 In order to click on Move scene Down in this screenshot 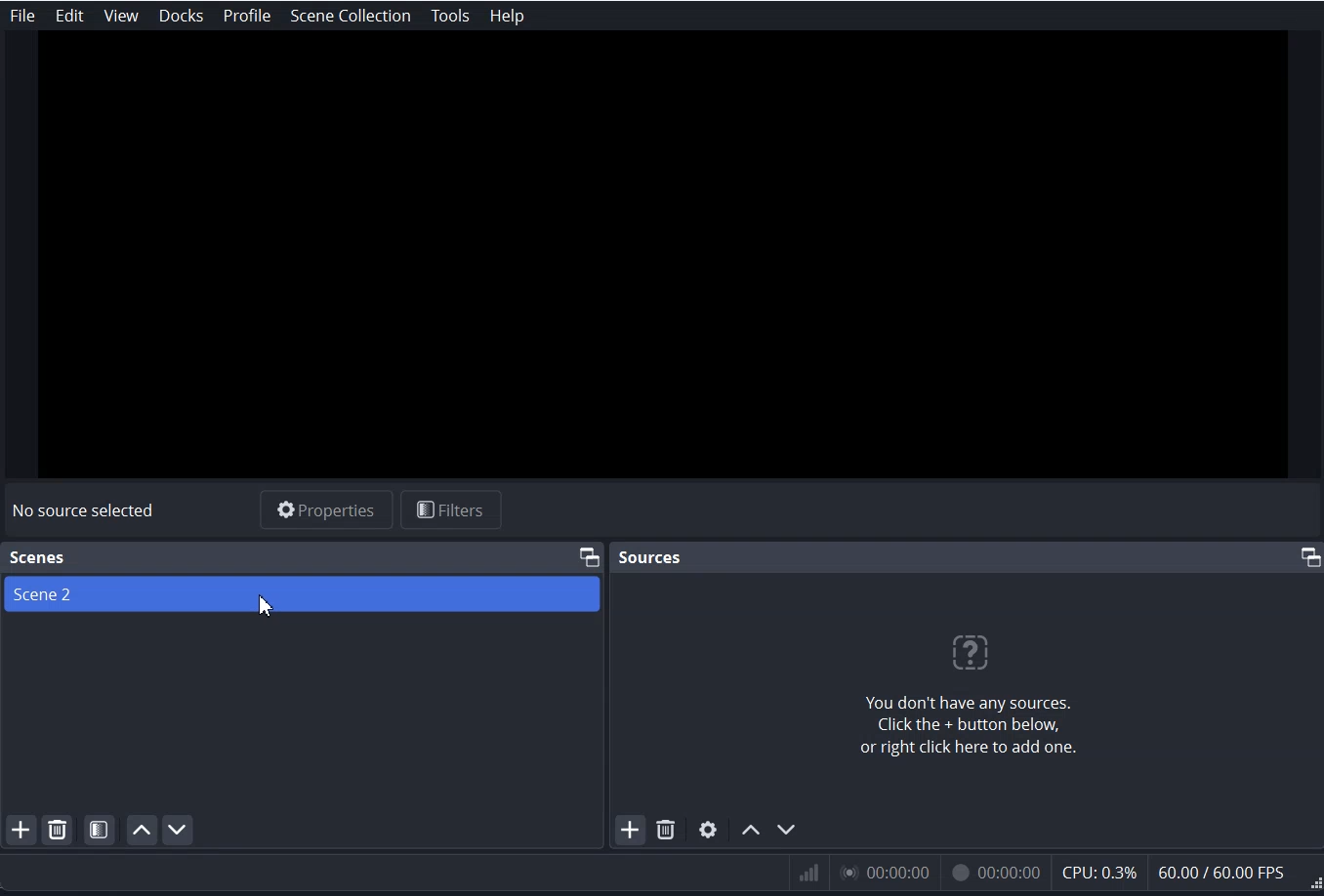, I will do `click(177, 829)`.